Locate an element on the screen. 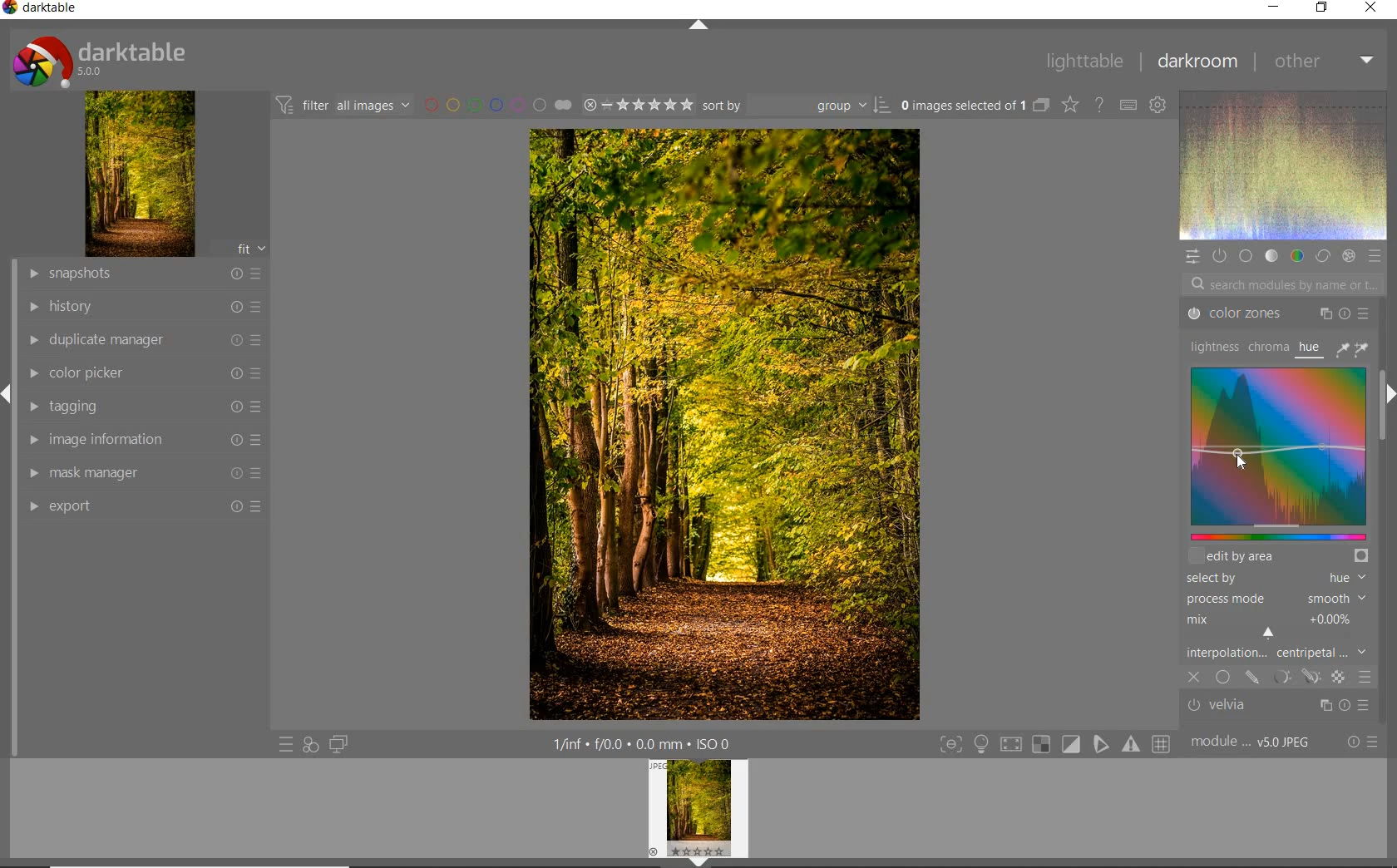 The image size is (1397, 868). SHOW GLOBAL PREFERENCE is located at coordinates (1159, 104).